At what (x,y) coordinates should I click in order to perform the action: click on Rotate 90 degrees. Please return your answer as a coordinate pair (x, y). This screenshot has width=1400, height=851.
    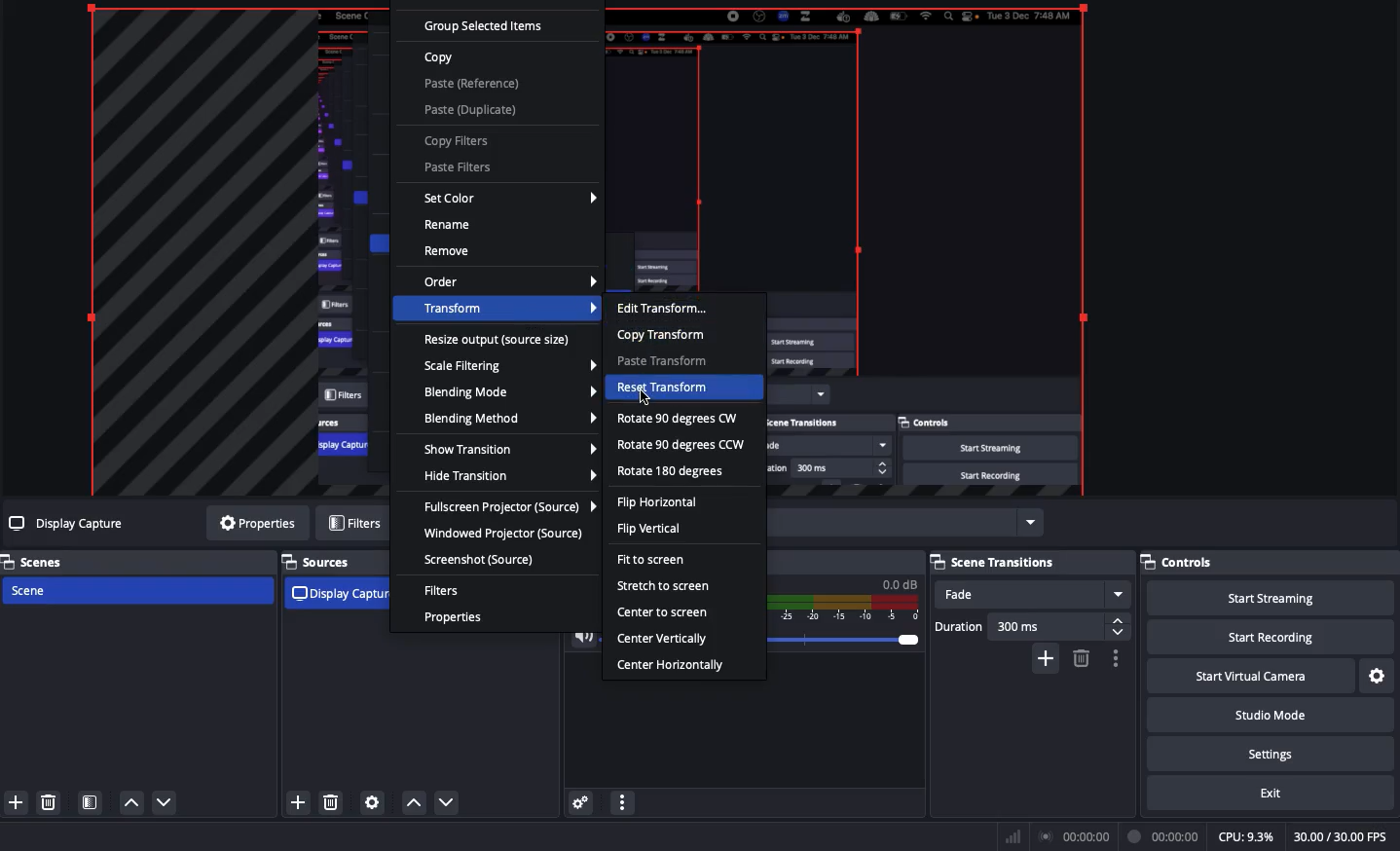
    Looking at the image, I should click on (682, 448).